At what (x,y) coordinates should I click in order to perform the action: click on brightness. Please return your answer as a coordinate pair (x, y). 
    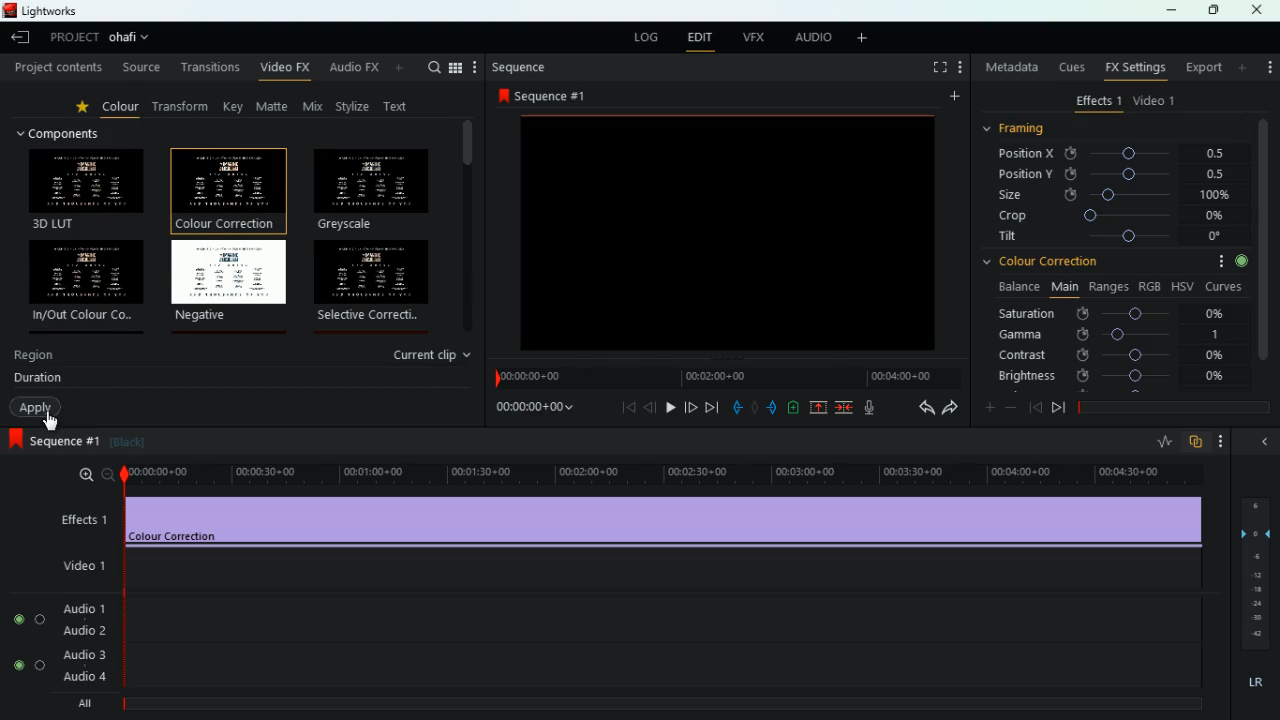
    Looking at the image, I should click on (1109, 375).